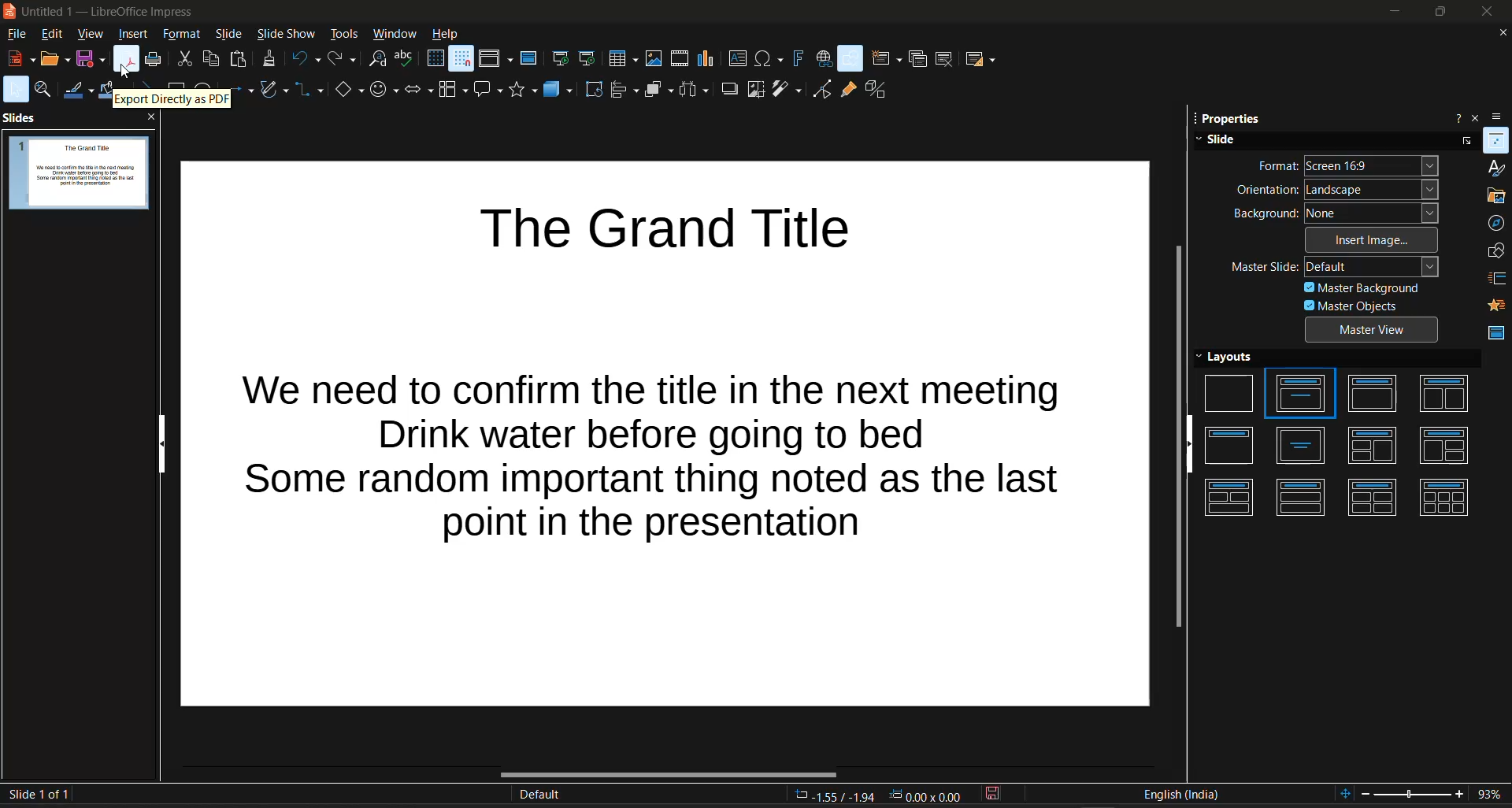 Image resolution: width=1512 pixels, height=808 pixels. Describe the element at coordinates (822, 90) in the screenshot. I see `toggle point` at that location.